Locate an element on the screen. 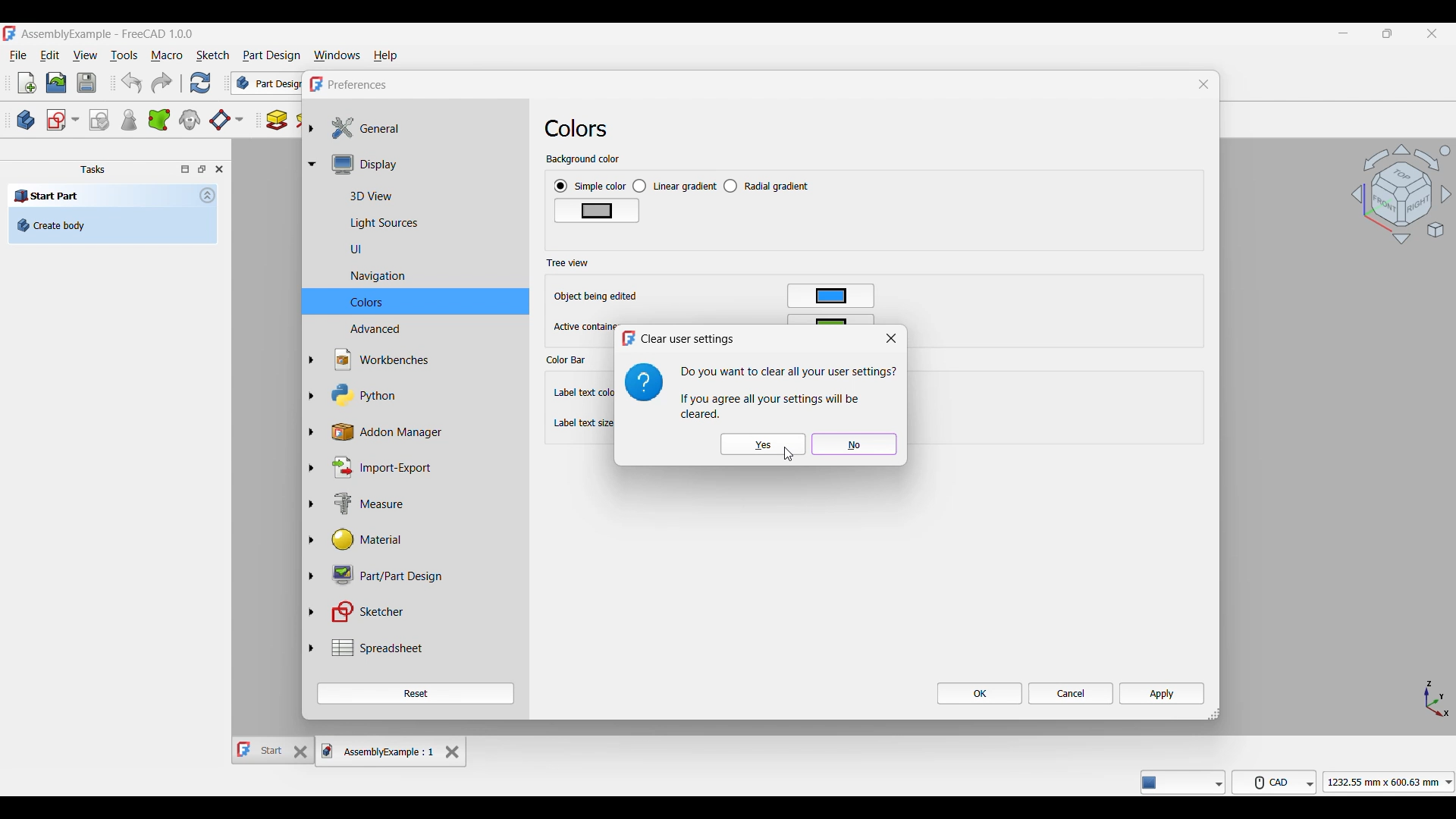 This screenshot has width=1456, height=819. Toggle for Linear gradient is located at coordinates (675, 187).